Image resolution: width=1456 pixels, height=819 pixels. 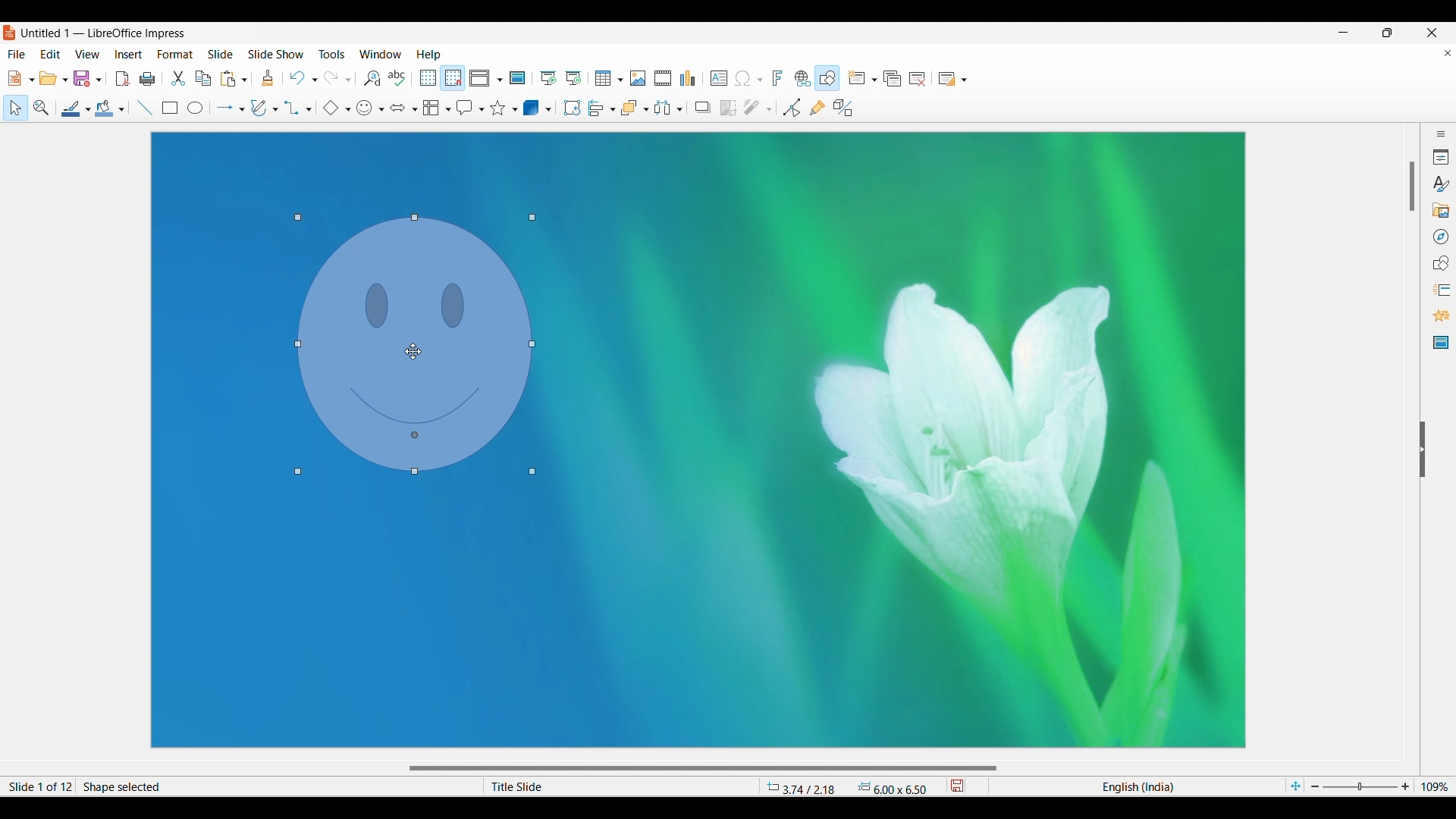 What do you see at coordinates (16, 108) in the screenshot?
I see `Select` at bounding box center [16, 108].